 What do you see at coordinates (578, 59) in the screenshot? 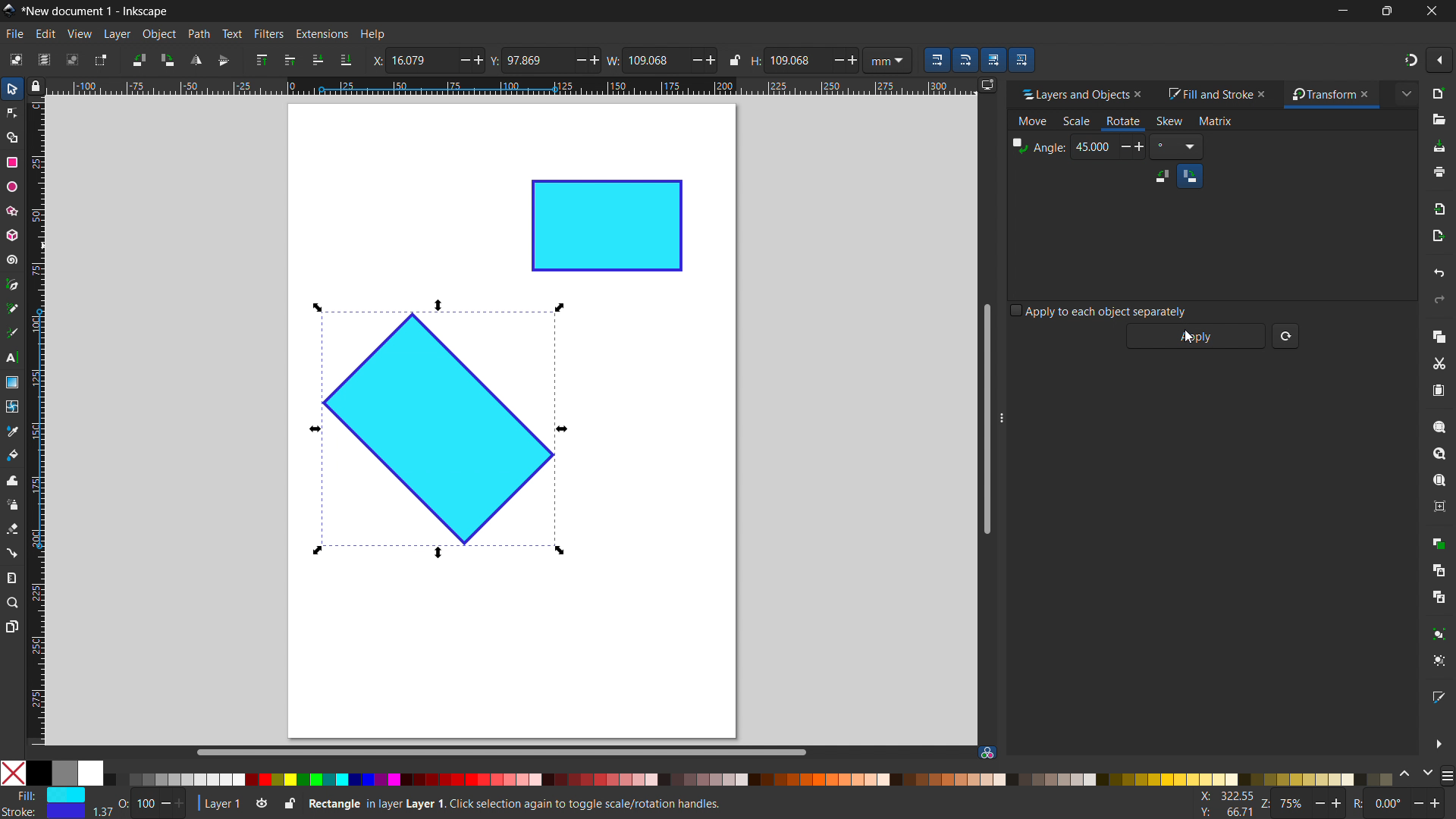
I see `Minus/ Decrease` at bounding box center [578, 59].